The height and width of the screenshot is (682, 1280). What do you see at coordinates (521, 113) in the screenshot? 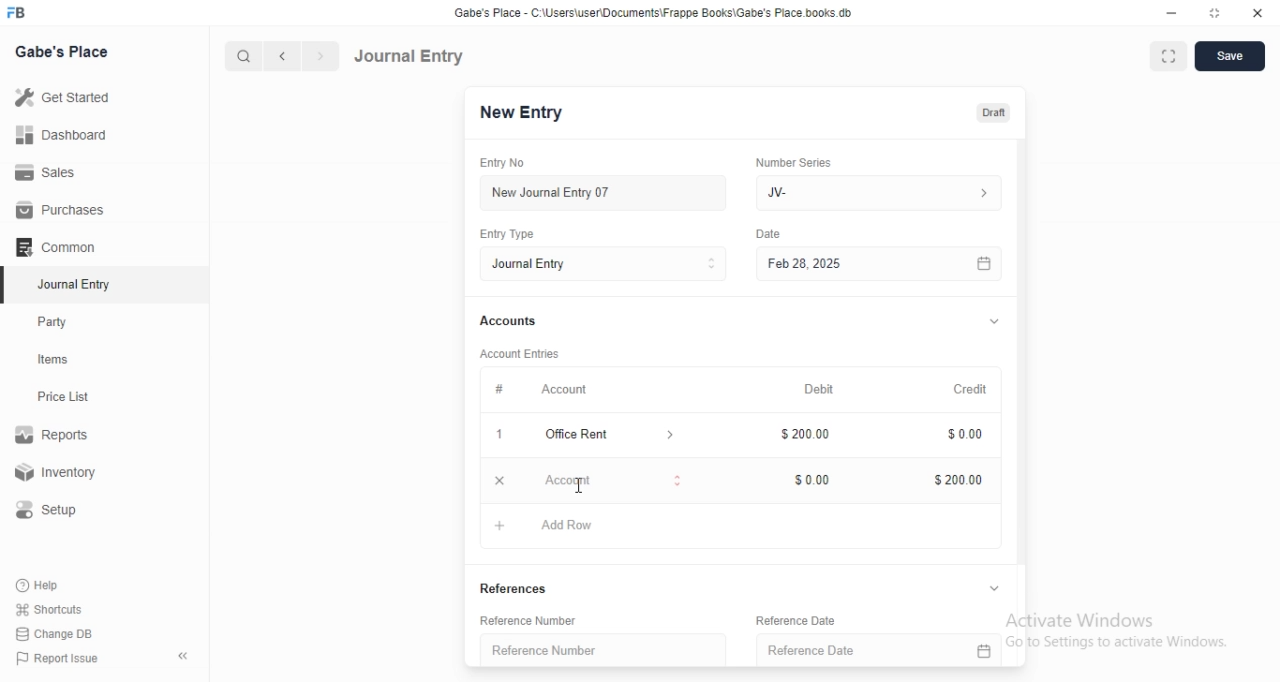
I see `New Entry` at bounding box center [521, 113].